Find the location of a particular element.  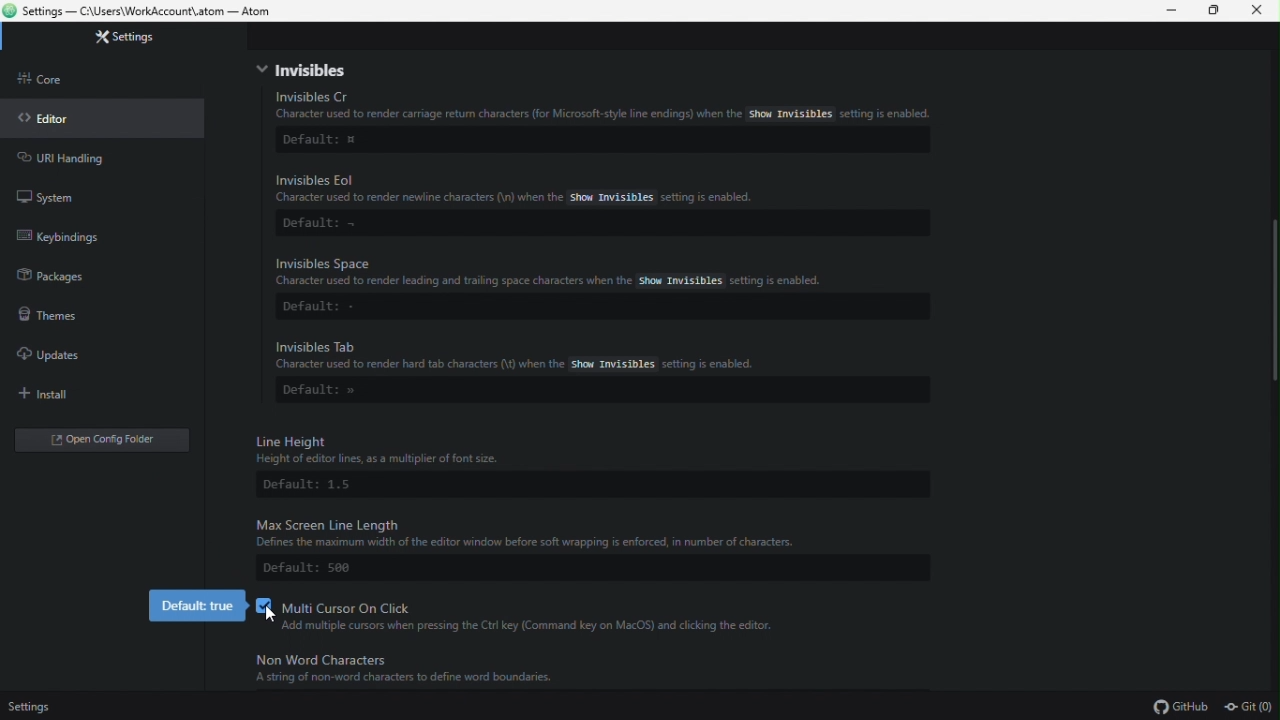

Setting is located at coordinates (147, 39).